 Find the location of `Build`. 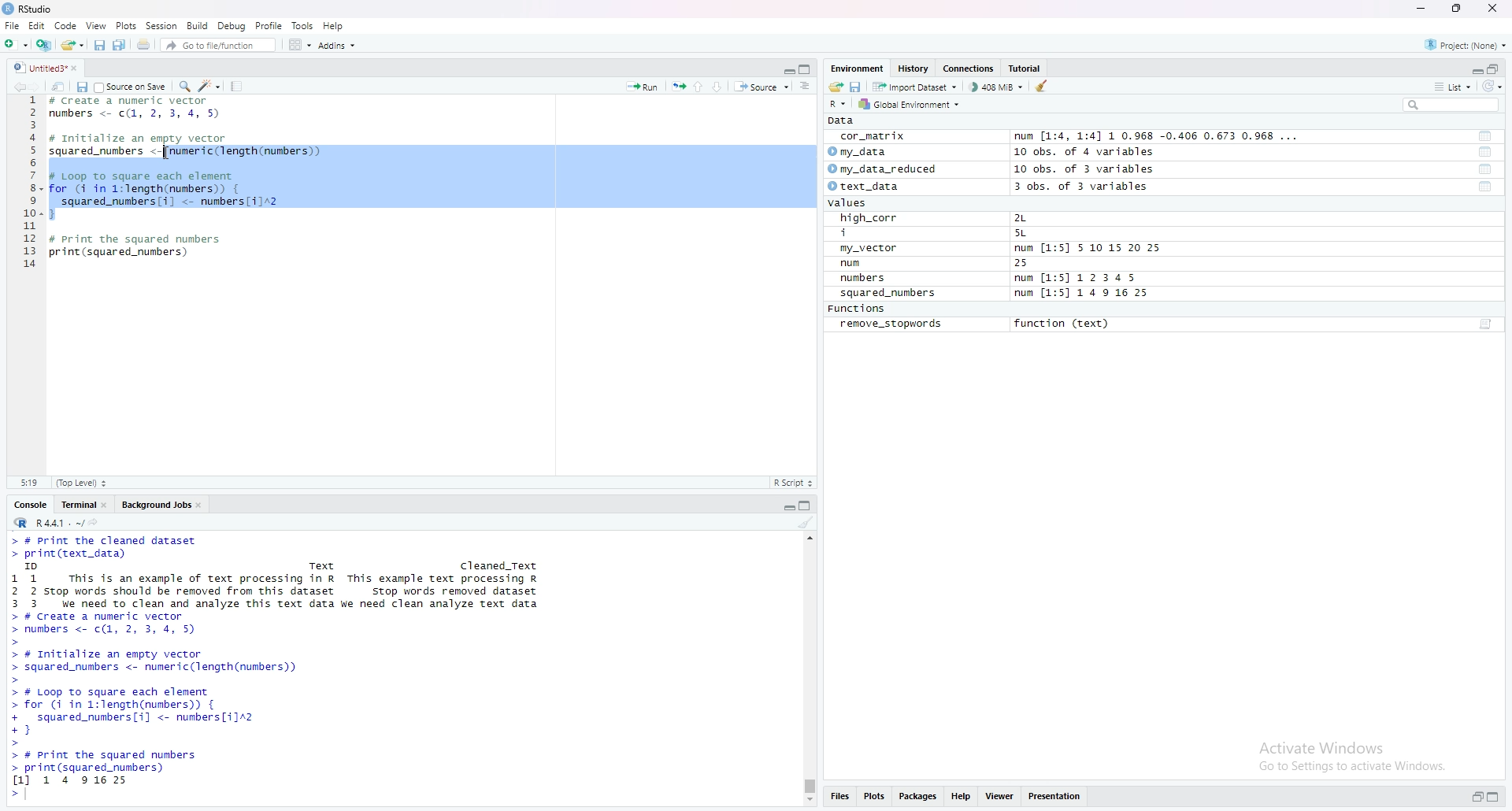

Build is located at coordinates (198, 25).